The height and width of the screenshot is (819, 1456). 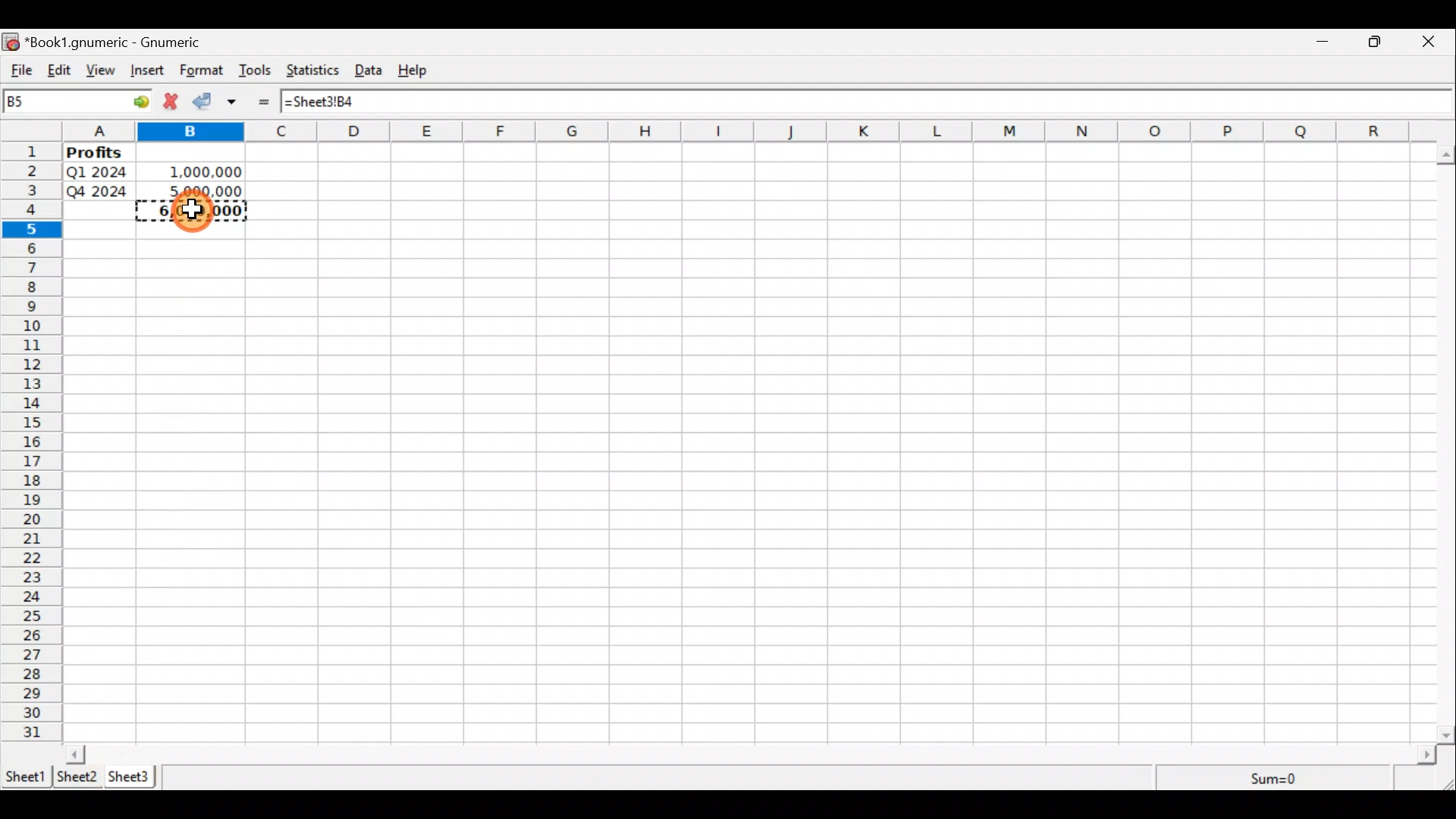 I want to click on Cell name, so click(x=78, y=101).